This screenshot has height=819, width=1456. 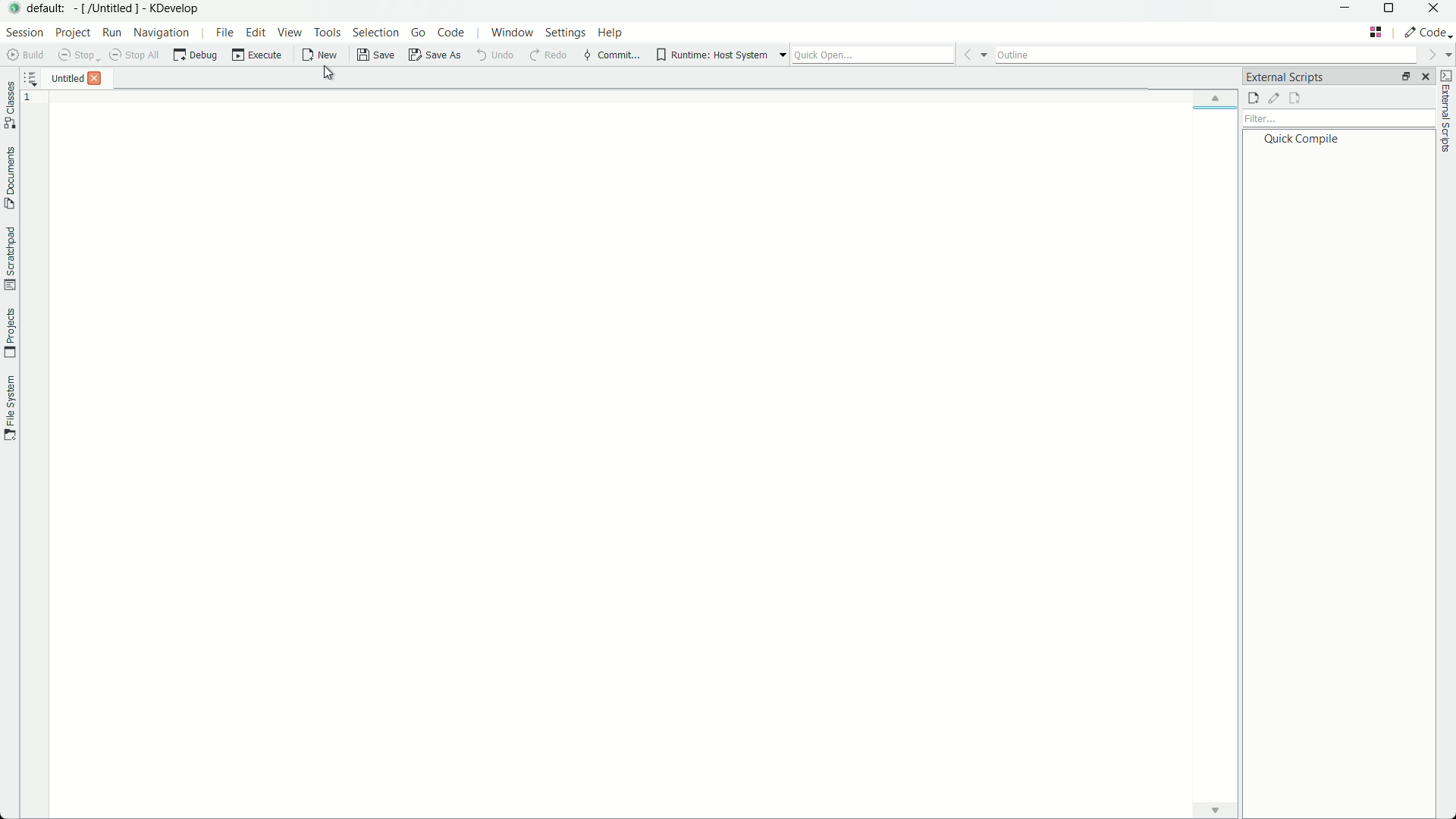 I want to click on filter bar, so click(x=1340, y=119).